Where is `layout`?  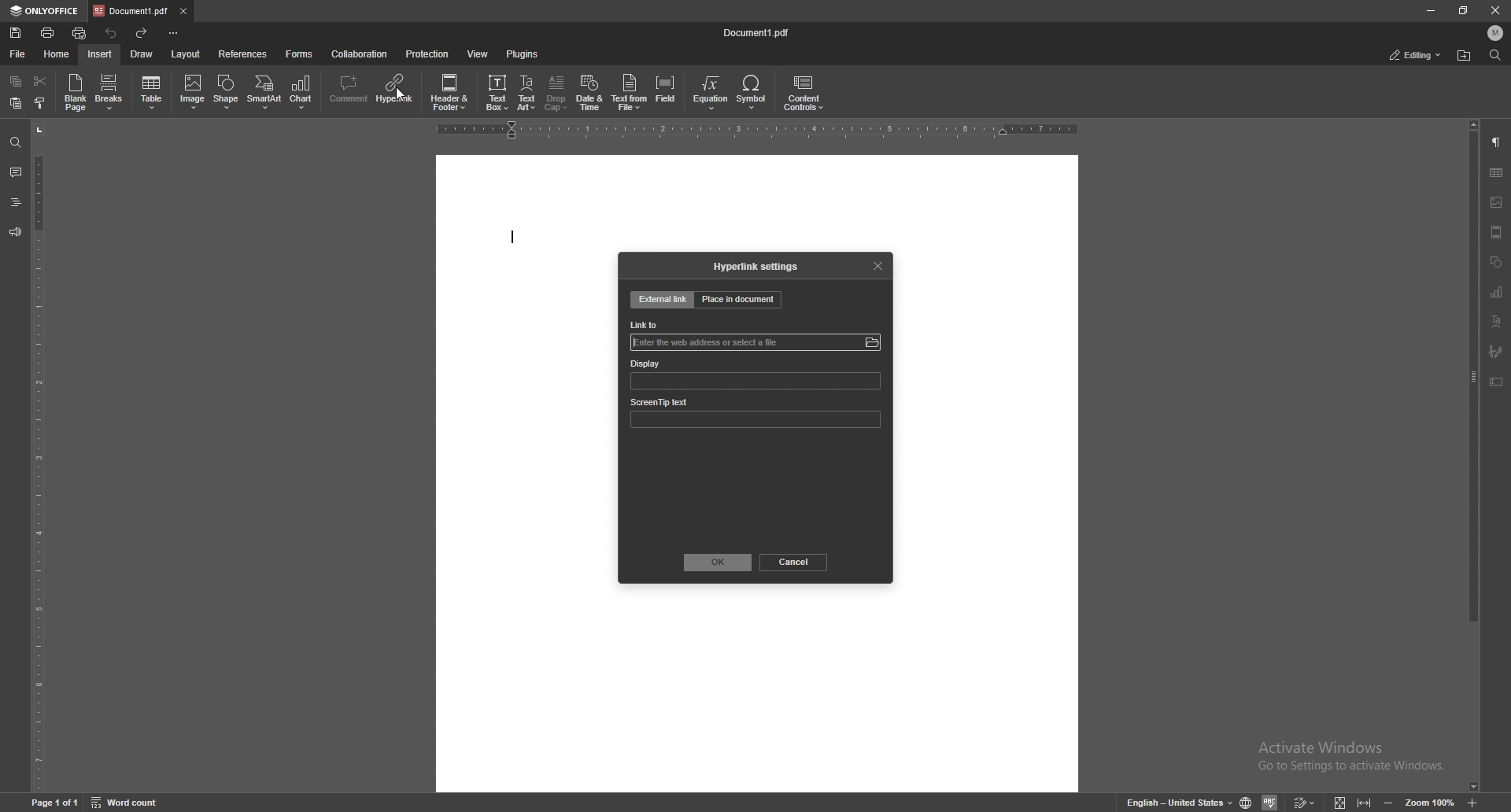
layout is located at coordinates (188, 54).